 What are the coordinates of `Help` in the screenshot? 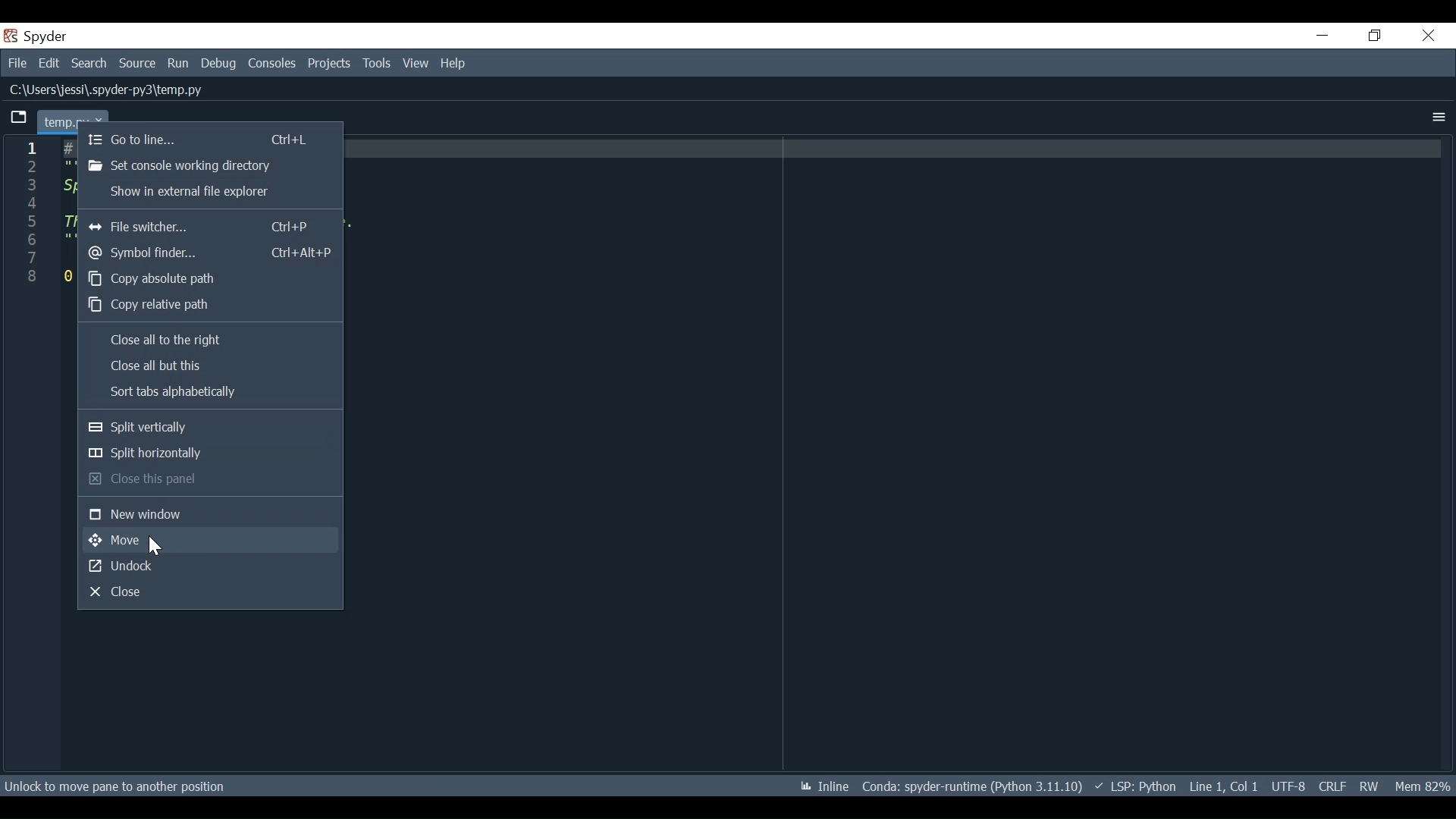 It's located at (453, 64).